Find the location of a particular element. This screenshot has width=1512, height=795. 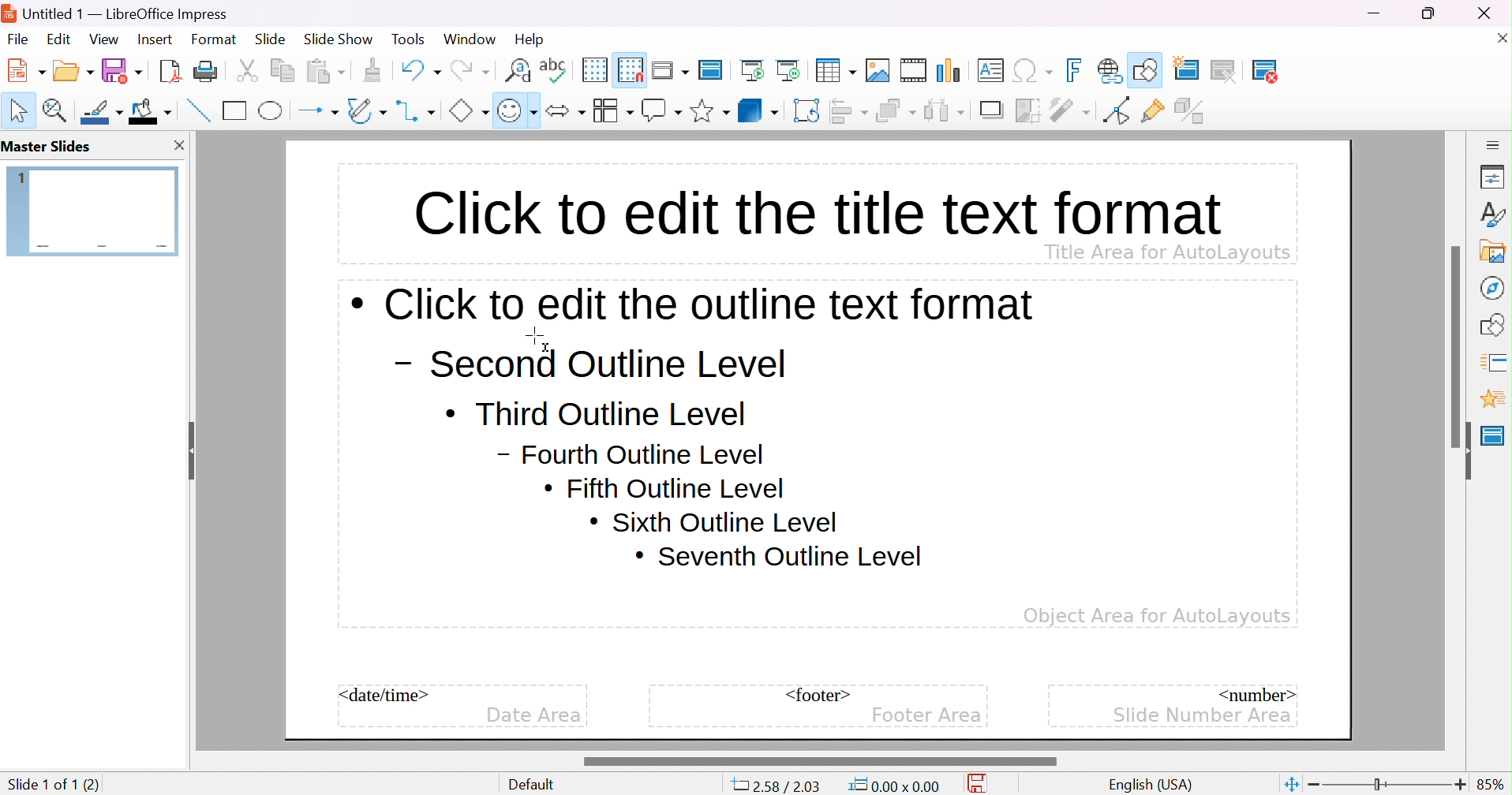

flowchart is located at coordinates (612, 110).